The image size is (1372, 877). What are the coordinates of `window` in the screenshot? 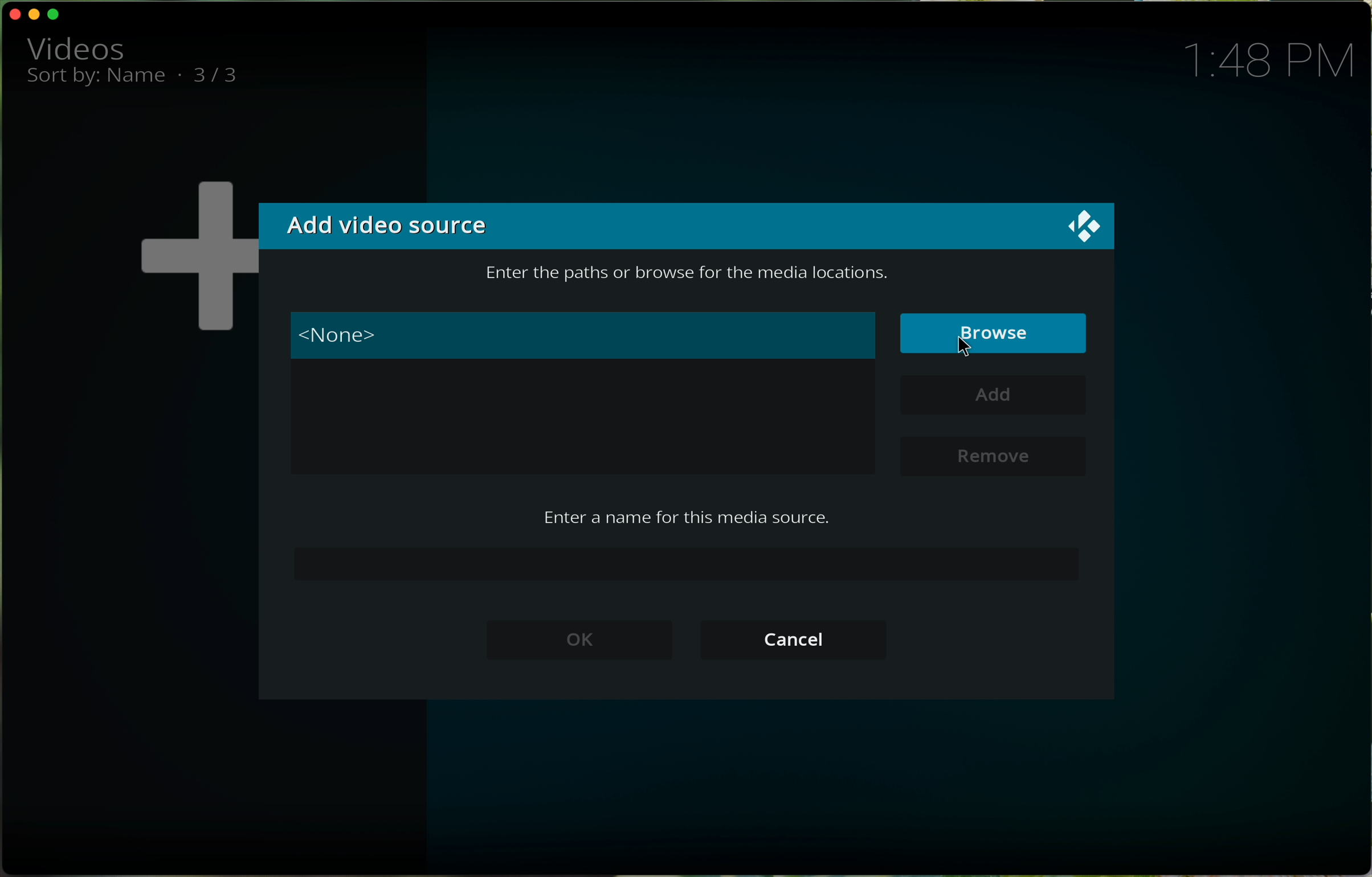 It's located at (586, 424).